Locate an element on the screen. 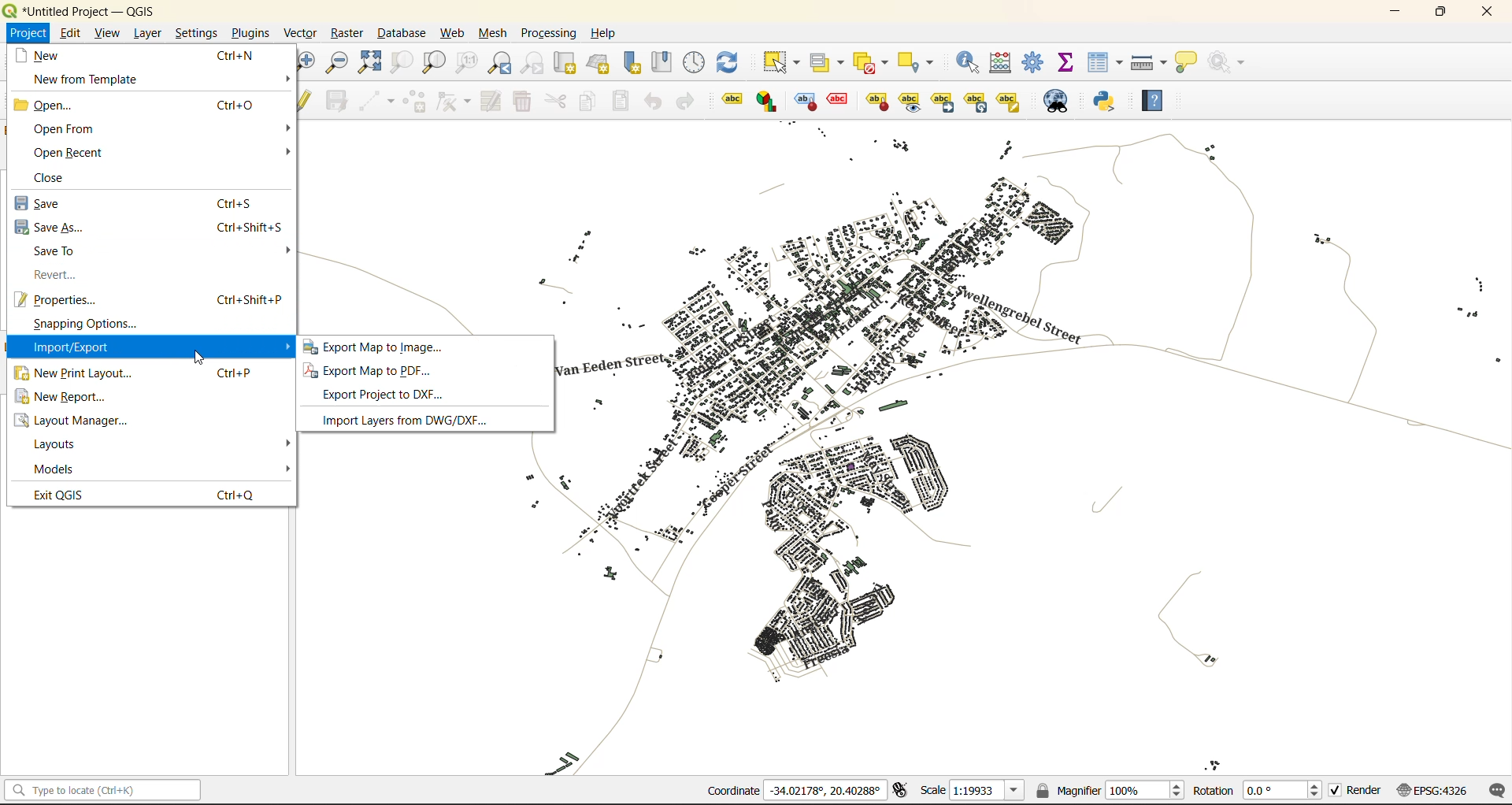  exit qgis is located at coordinates (65, 494).